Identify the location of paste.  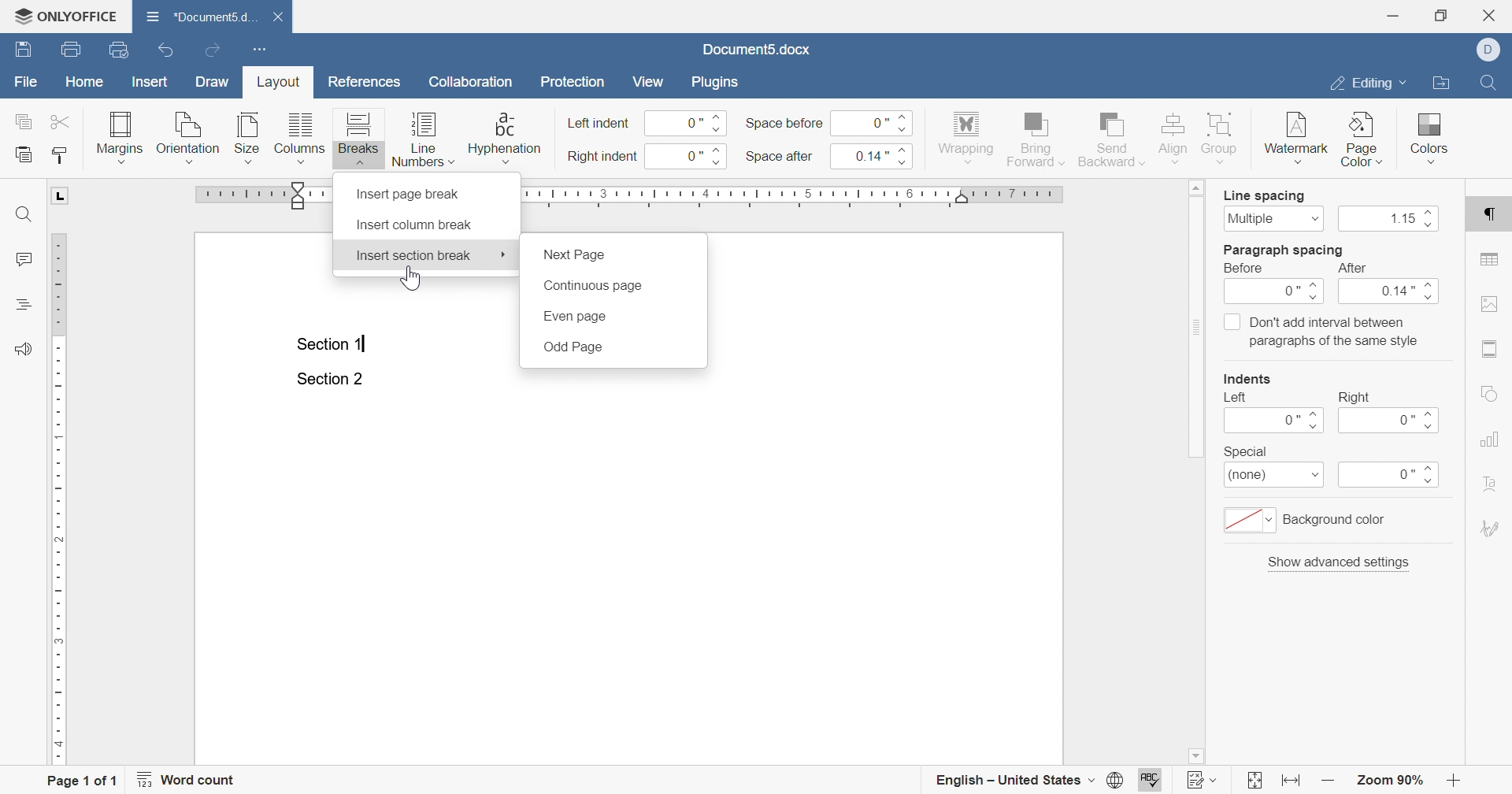
(24, 153).